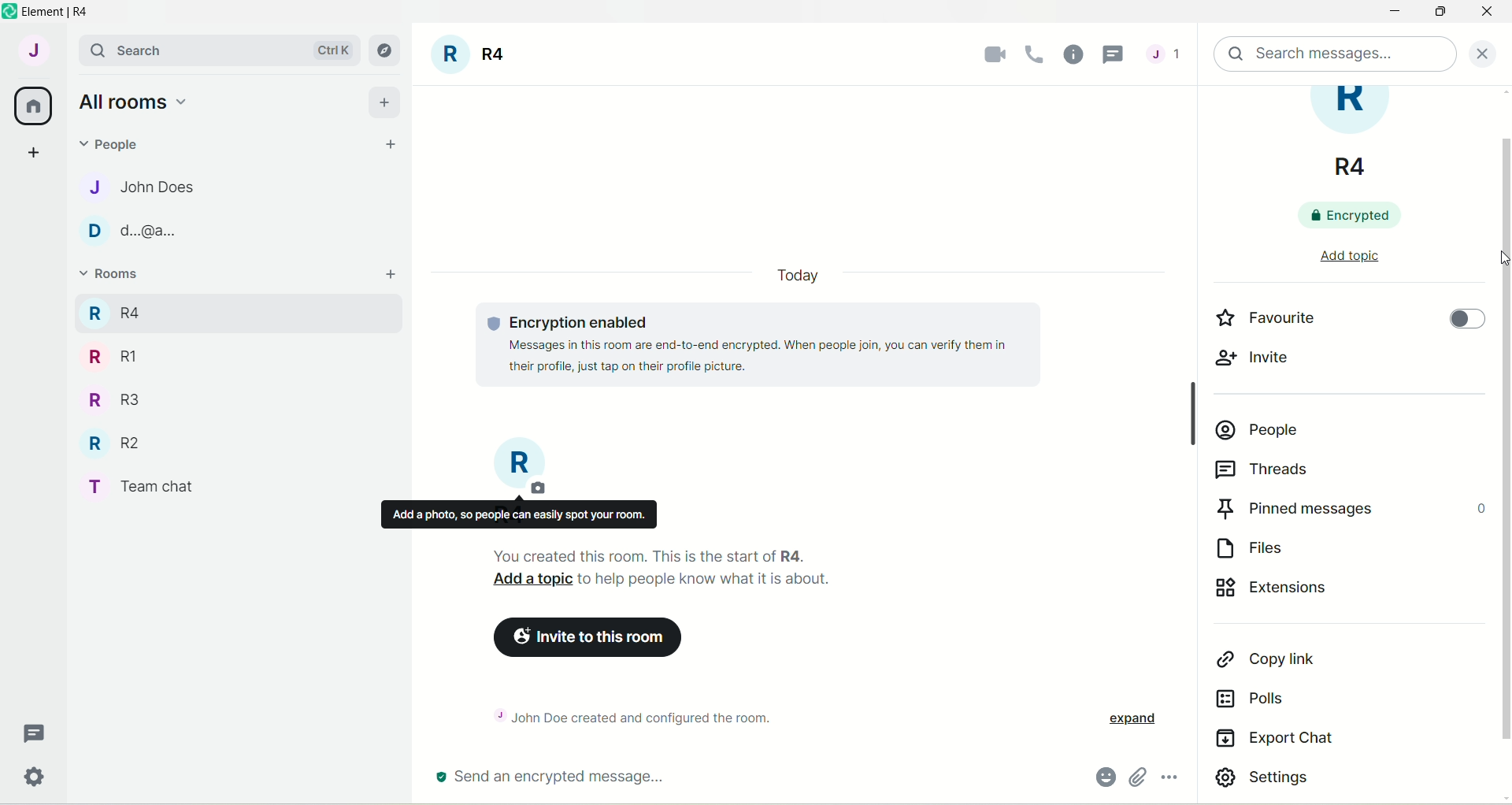  Describe the element at coordinates (1263, 317) in the screenshot. I see `favourite` at that location.